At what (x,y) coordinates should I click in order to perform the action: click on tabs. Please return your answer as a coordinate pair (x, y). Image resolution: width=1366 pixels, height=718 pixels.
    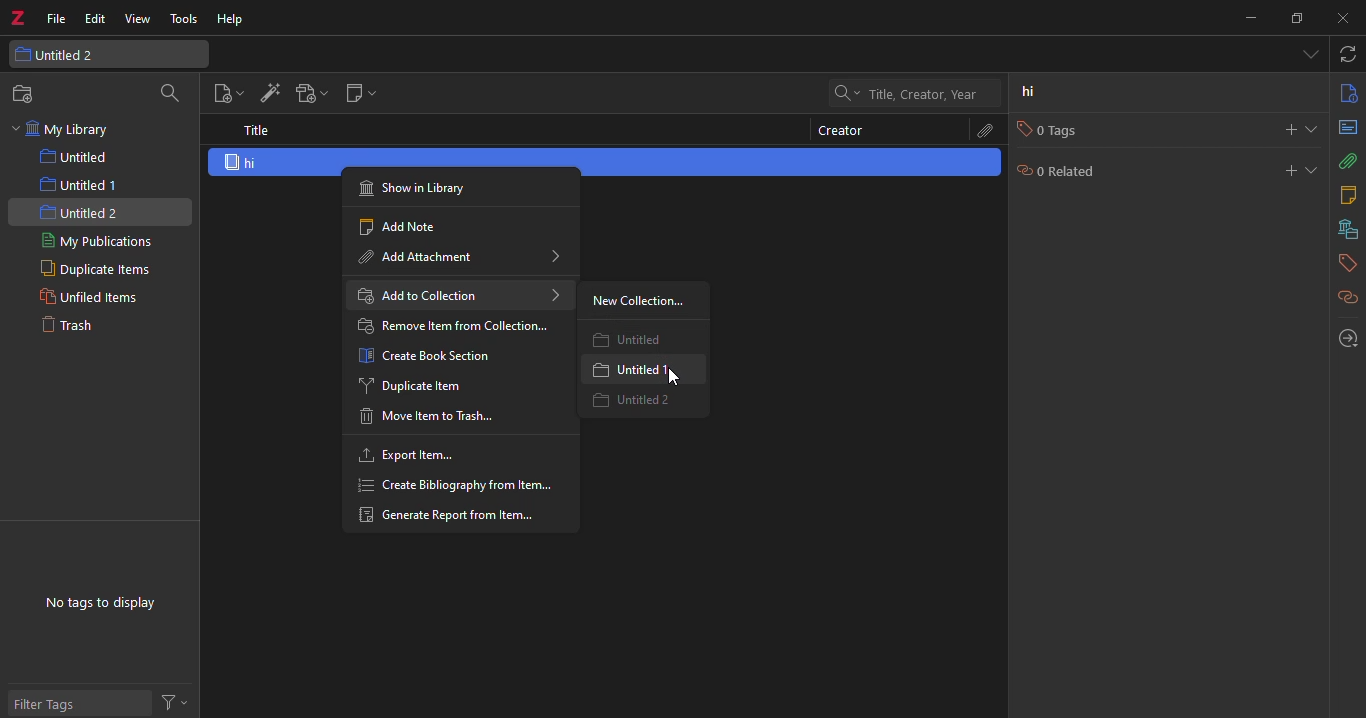
    Looking at the image, I should click on (1308, 54).